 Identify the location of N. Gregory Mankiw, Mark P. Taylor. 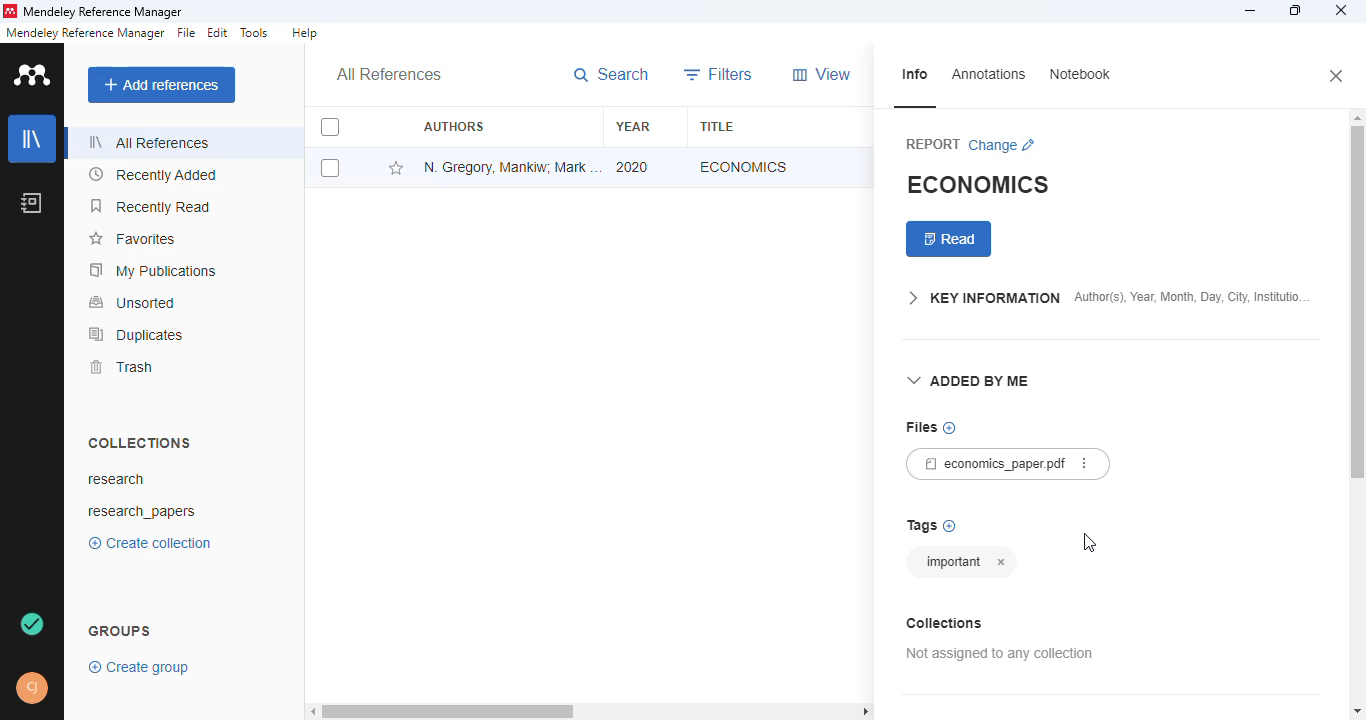
(513, 166).